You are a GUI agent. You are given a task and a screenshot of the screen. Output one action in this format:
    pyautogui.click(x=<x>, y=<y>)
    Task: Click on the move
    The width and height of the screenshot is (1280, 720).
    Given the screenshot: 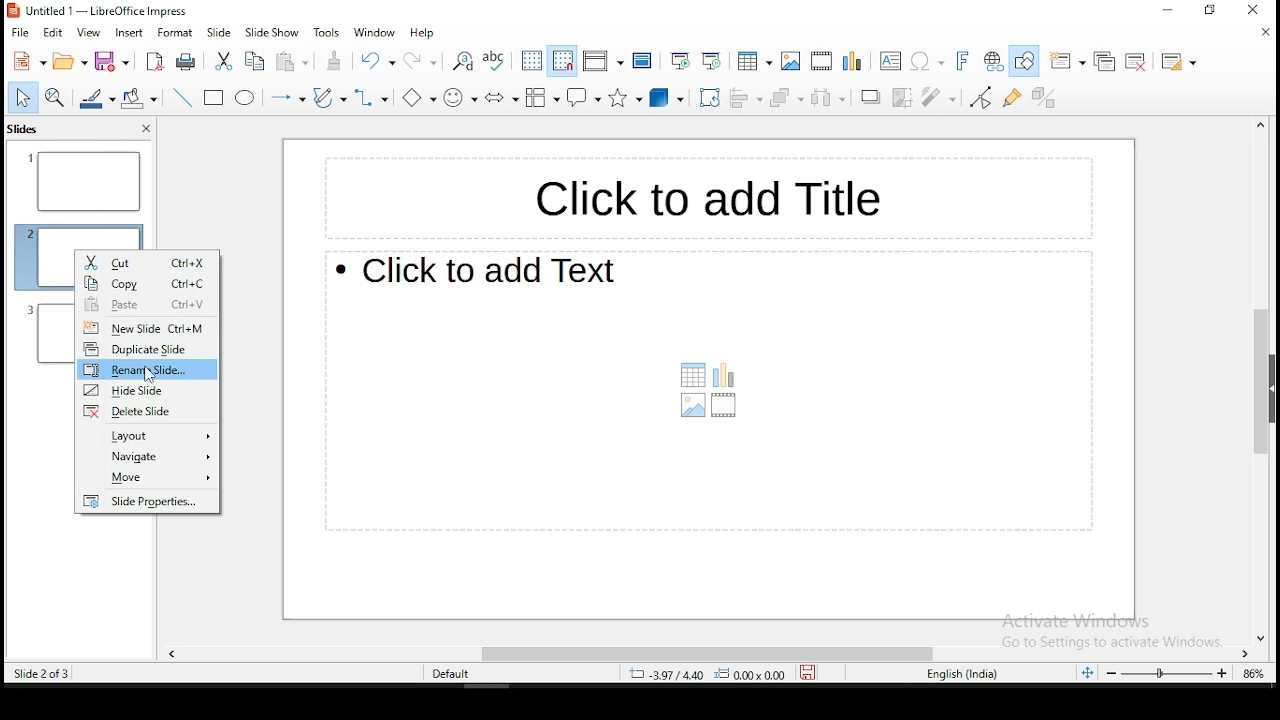 What is the action you would take?
    pyautogui.click(x=148, y=477)
    